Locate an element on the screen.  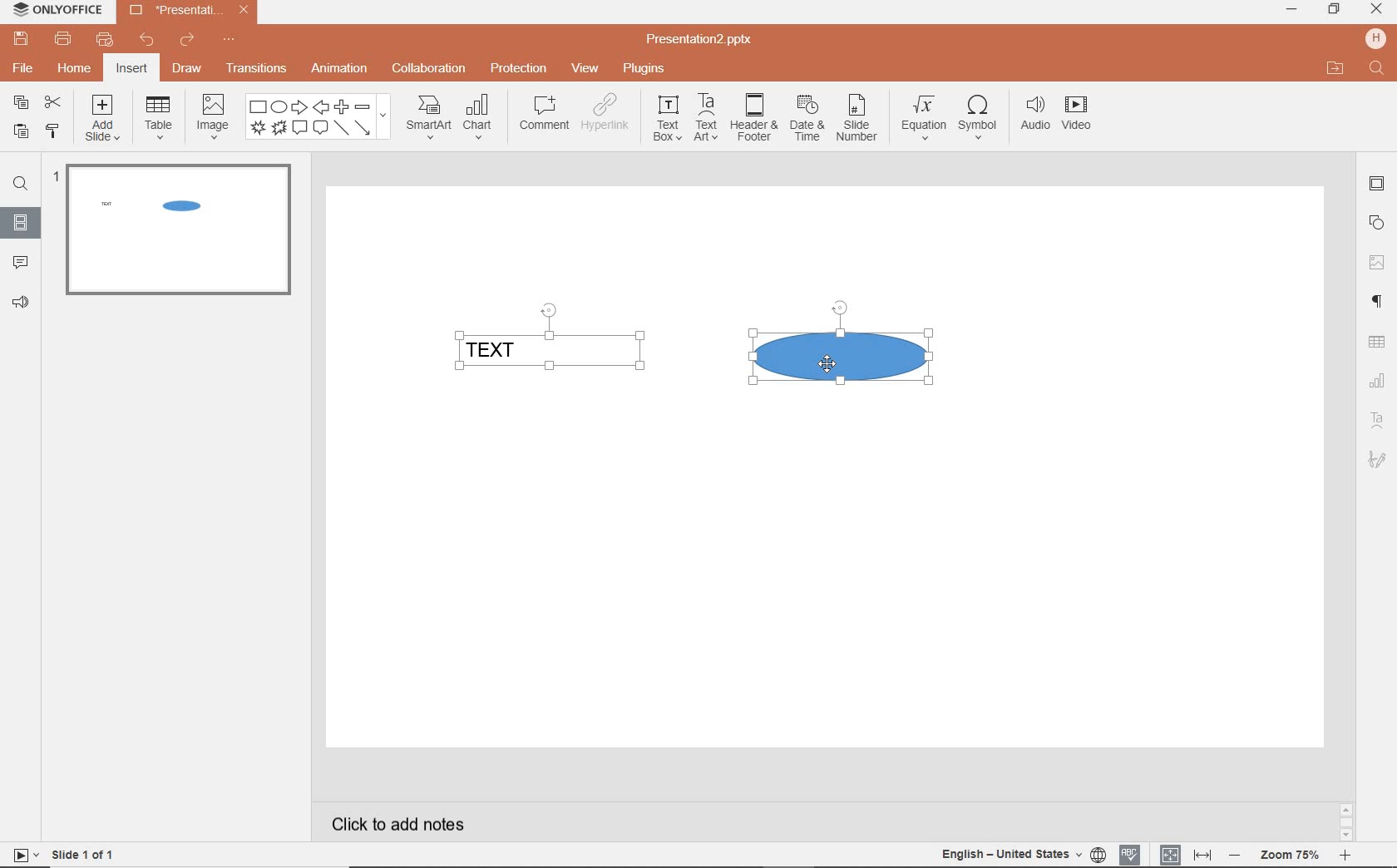
insert is located at coordinates (133, 69).